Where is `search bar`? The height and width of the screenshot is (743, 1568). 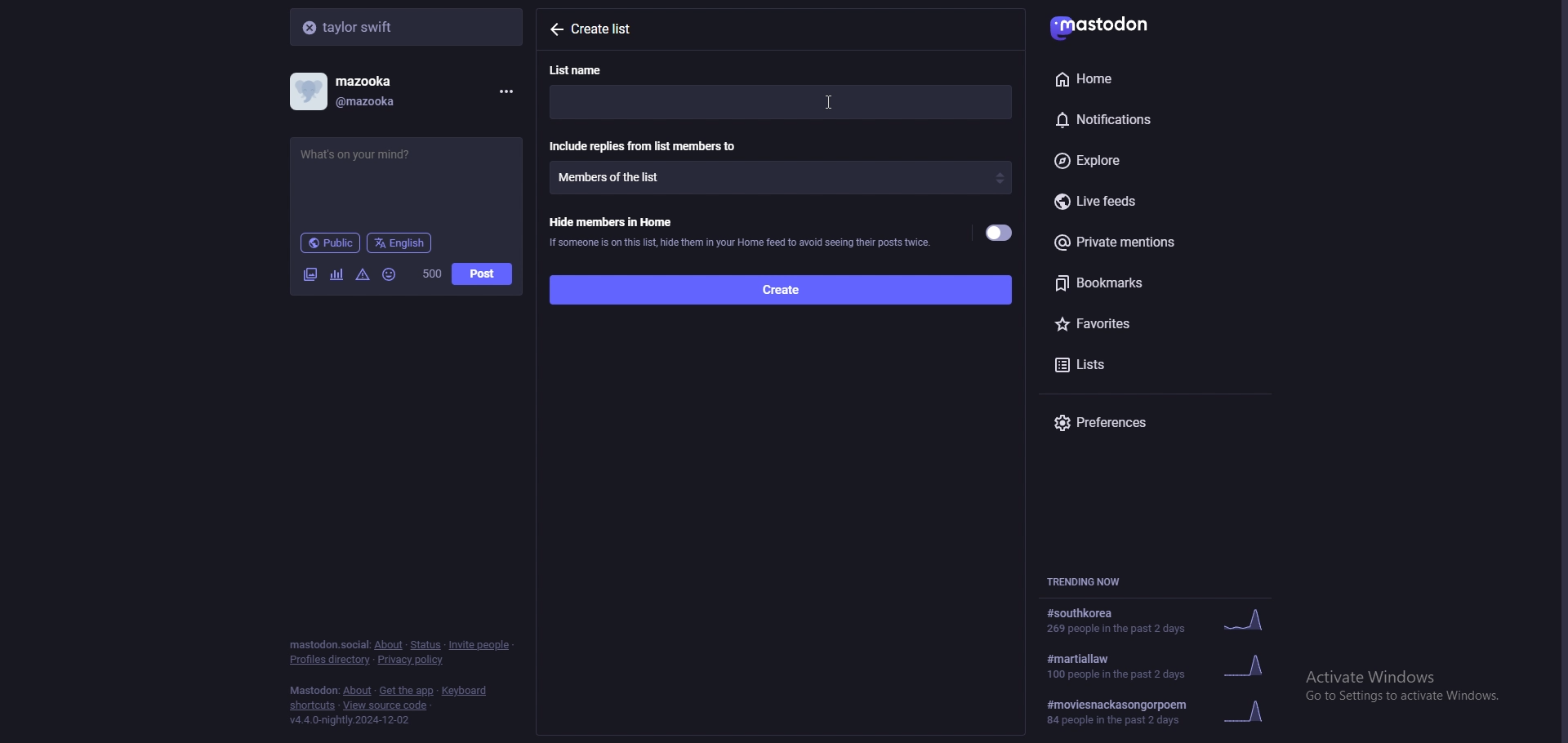 search bar is located at coordinates (408, 26).